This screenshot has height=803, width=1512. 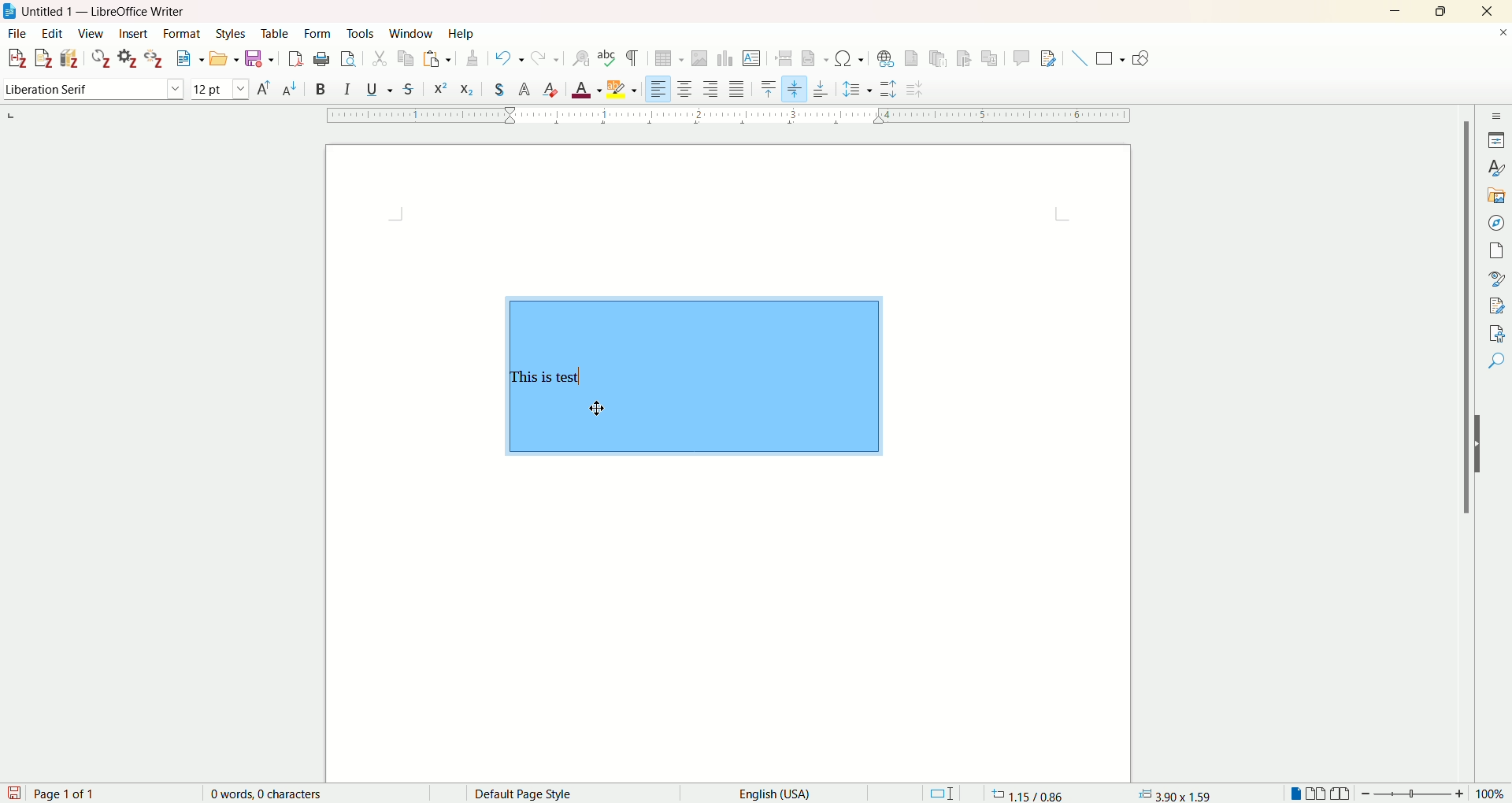 I want to click on fill color, so click(x=836, y=87).